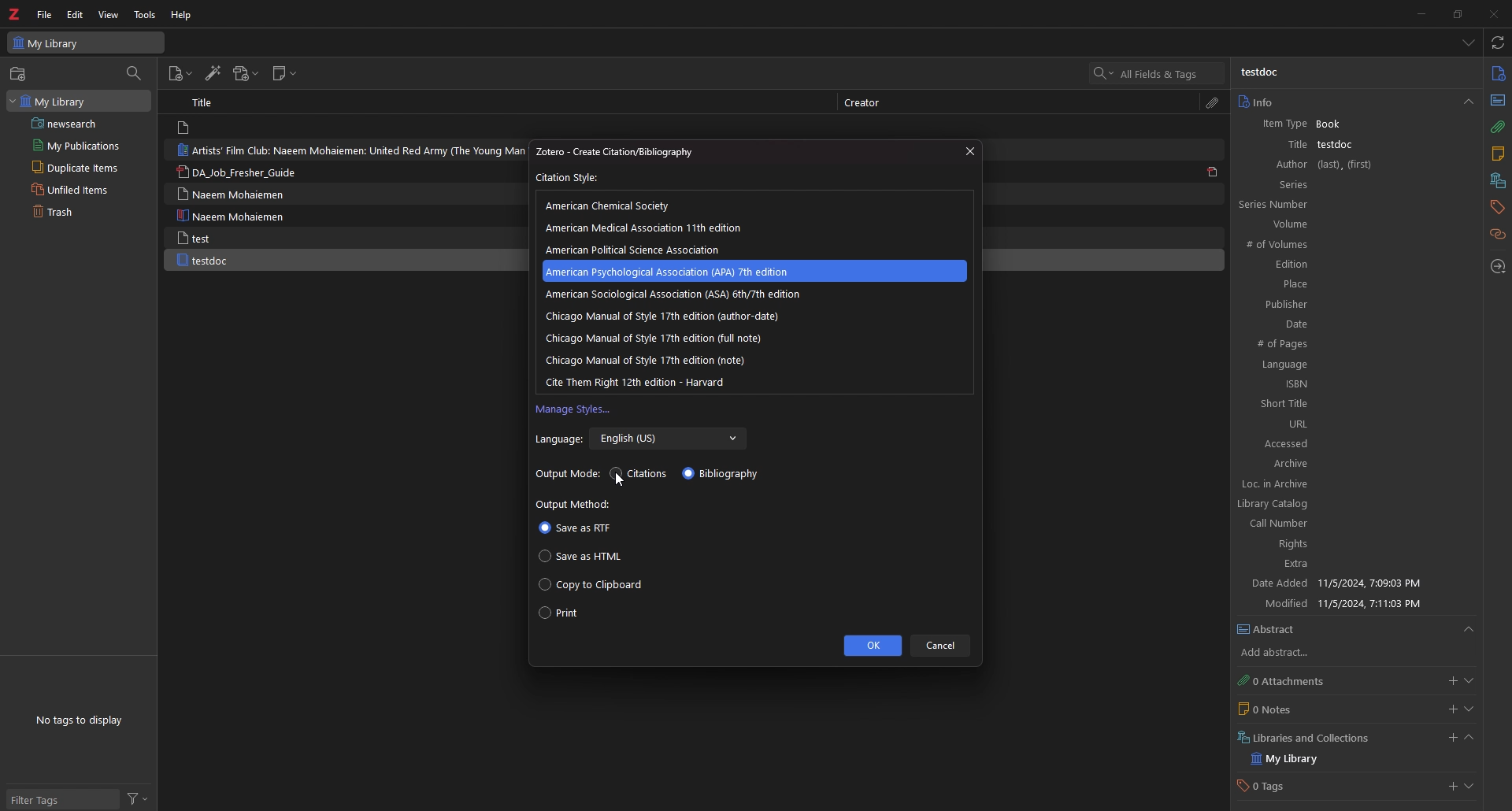 The height and width of the screenshot is (811, 1512). What do you see at coordinates (1158, 73) in the screenshot?
I see `search` at bounding box center [1158, 73].